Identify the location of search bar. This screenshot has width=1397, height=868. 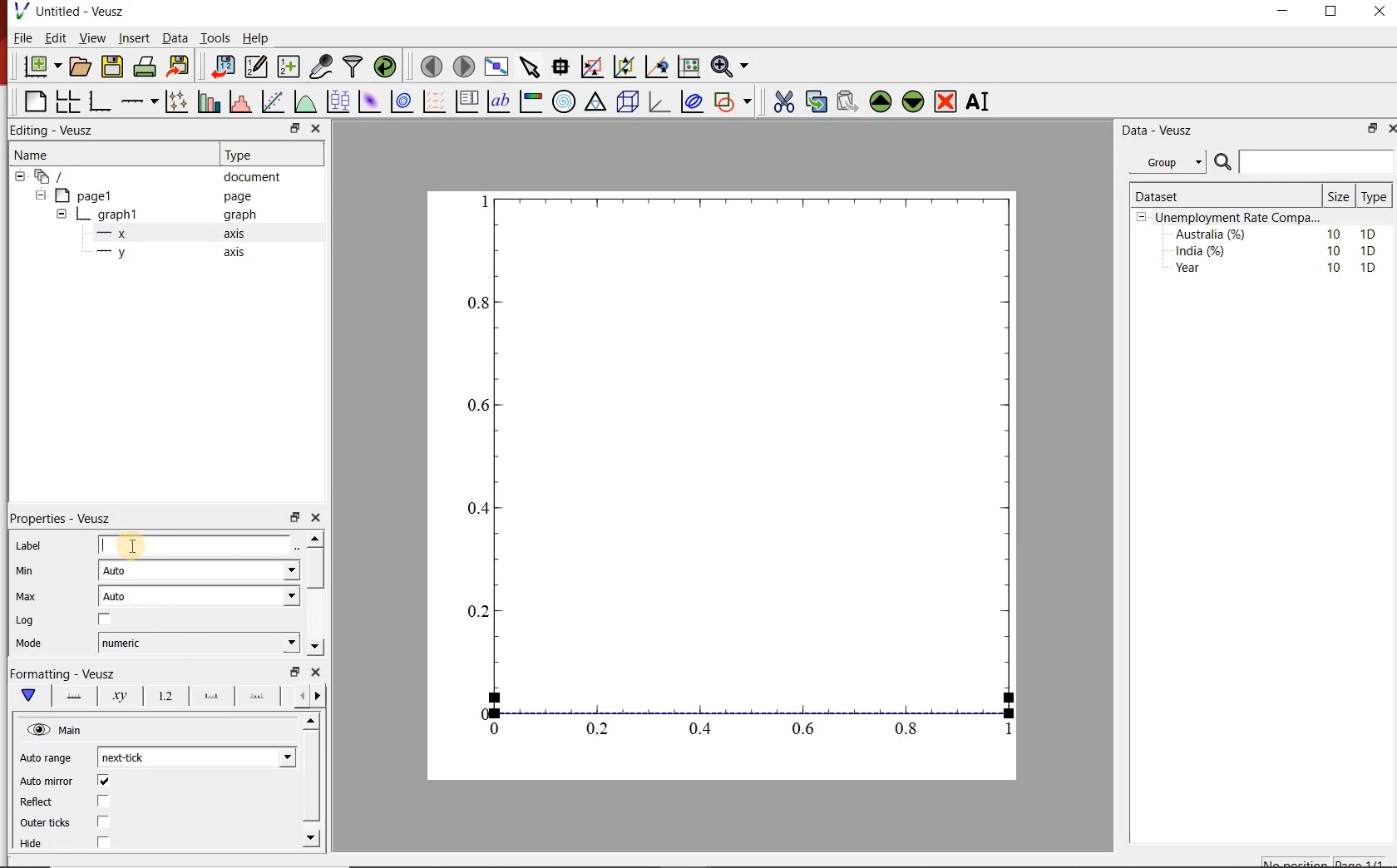
(1302, 162).